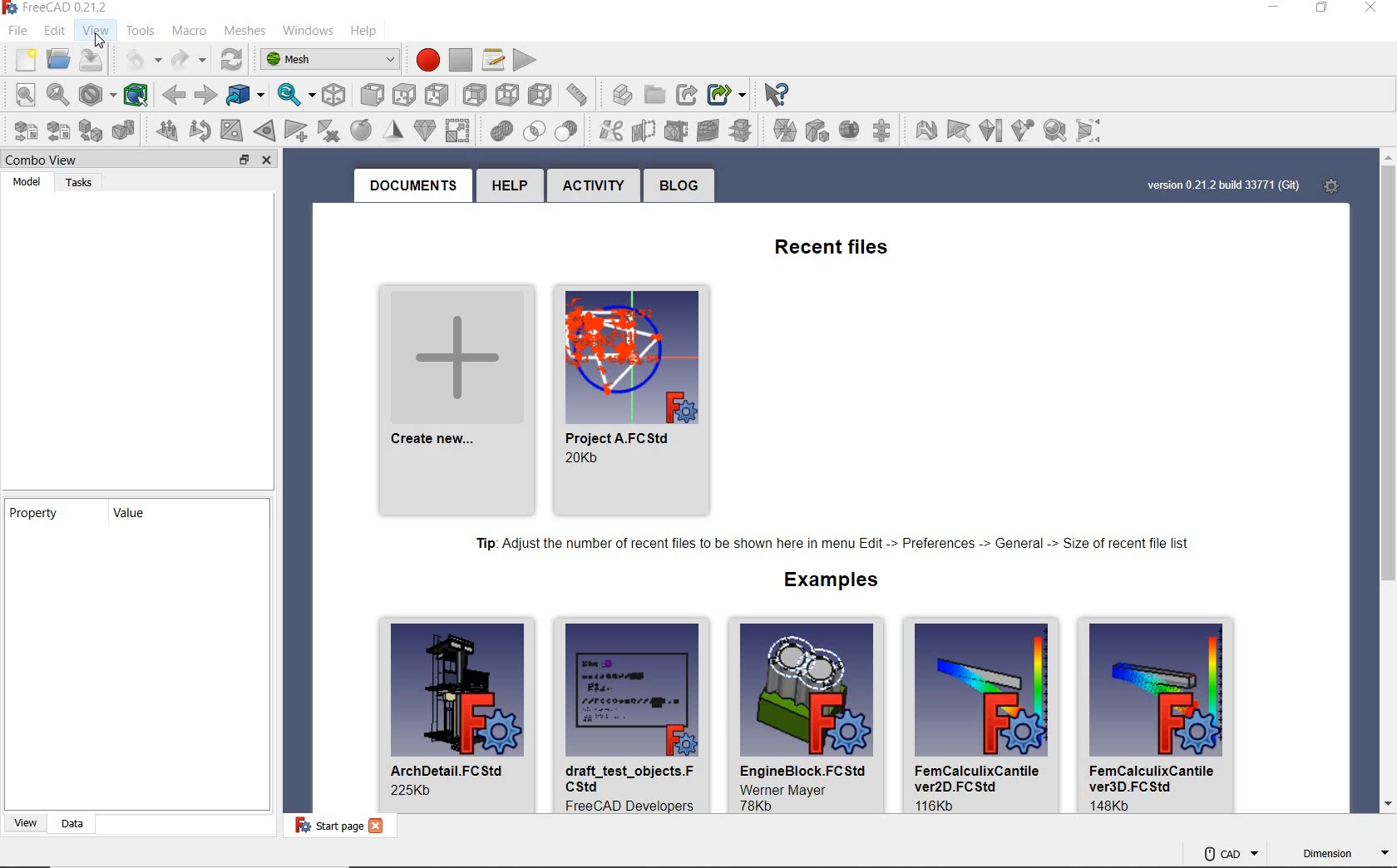 The height and width of the screenshot is (868, 1397). Describe the element at coordinates (333, 94) in the screenshot. I see `isometric` at that location.